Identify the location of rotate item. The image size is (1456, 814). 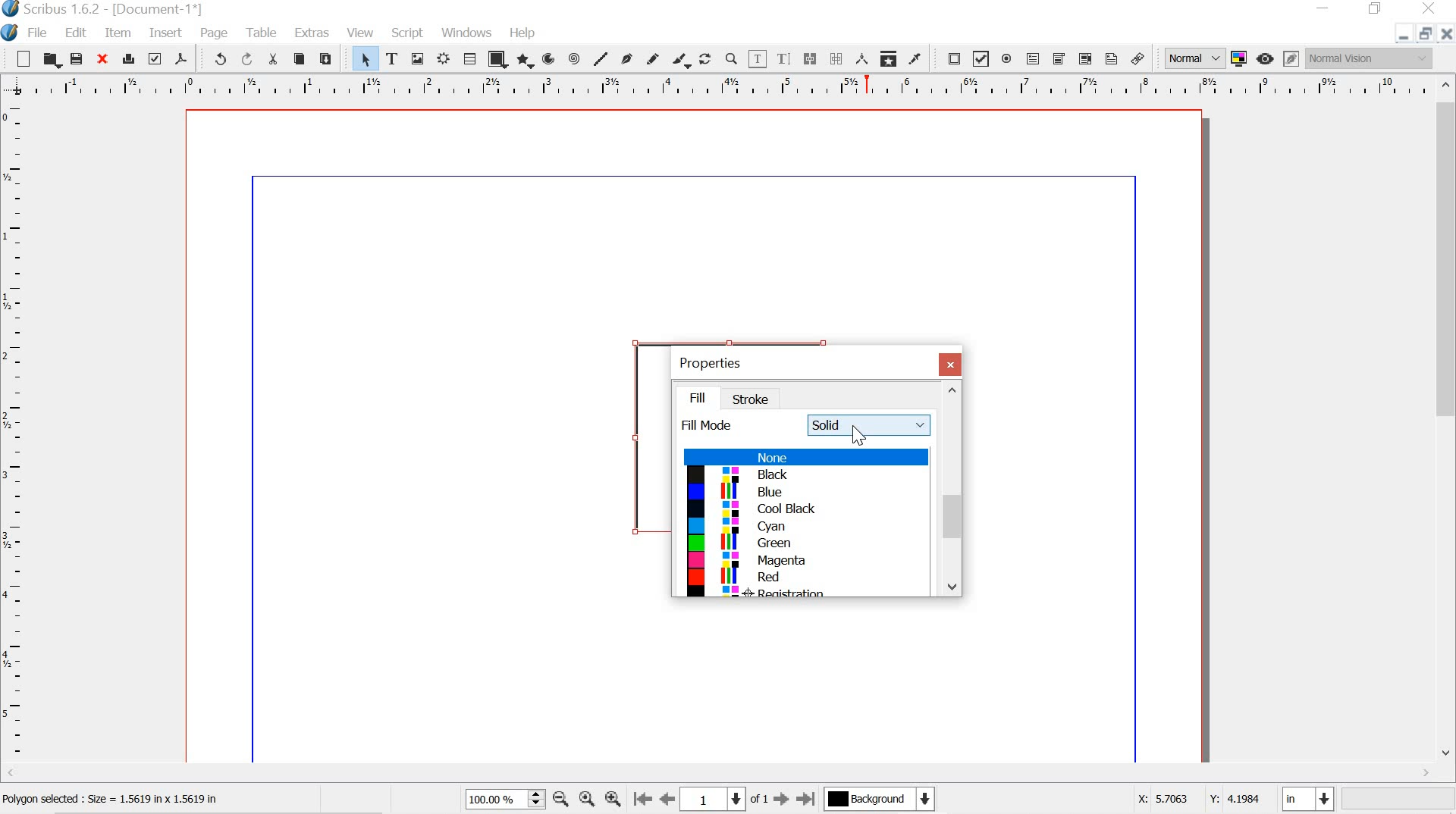
(705, 58).